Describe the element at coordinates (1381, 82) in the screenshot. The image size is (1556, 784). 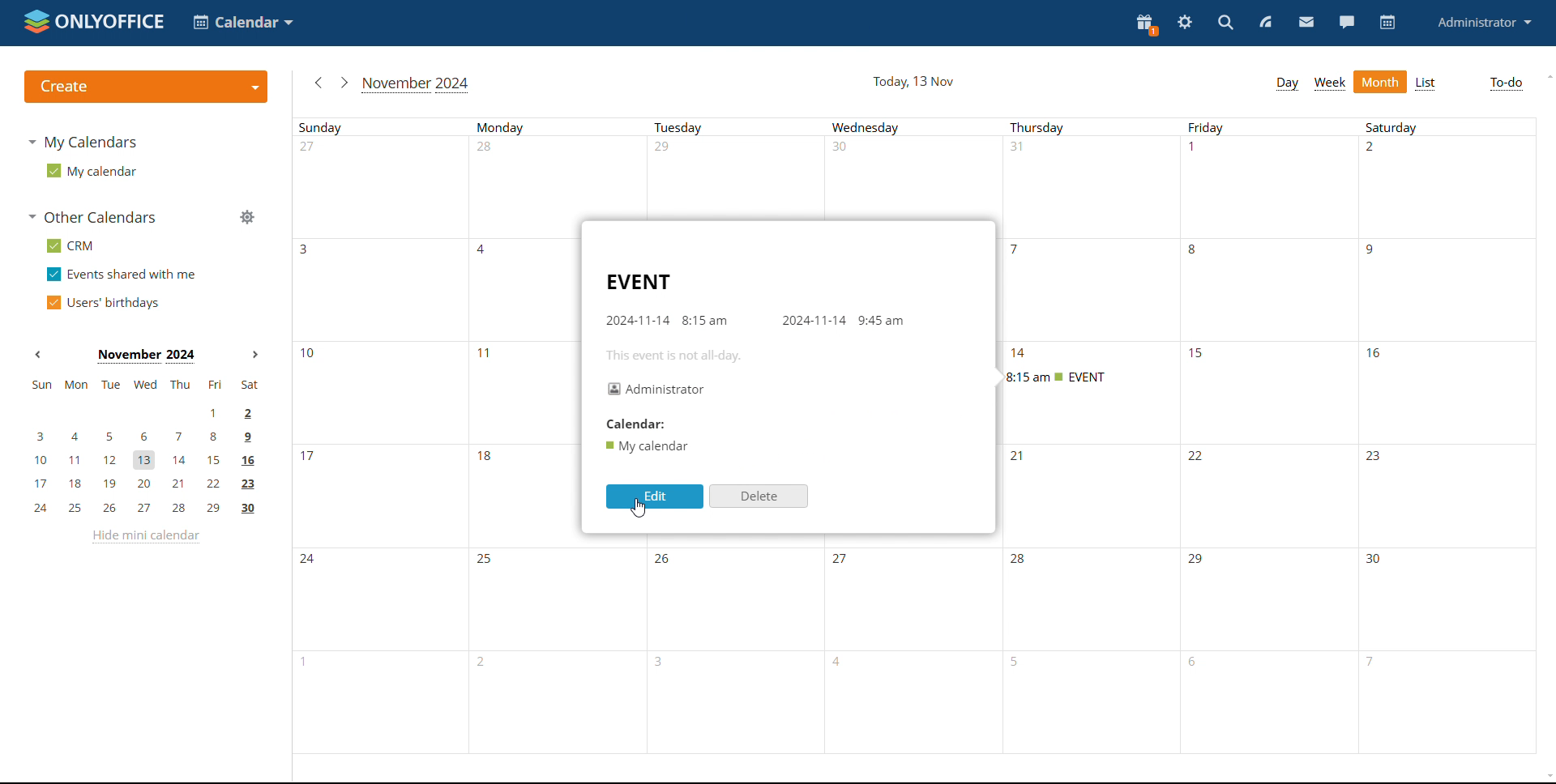
I see `month view` at that location.